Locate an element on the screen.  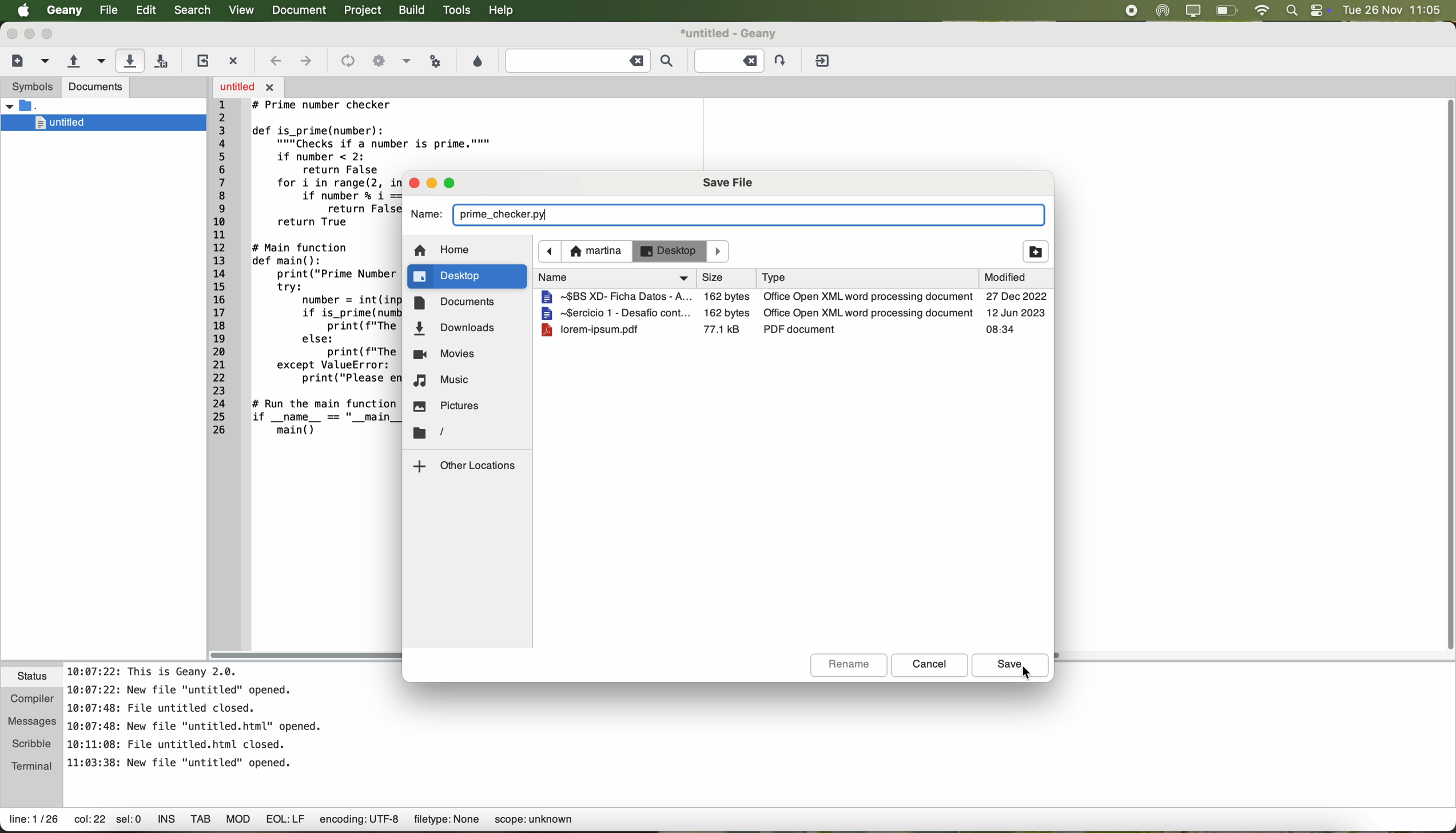
documents is located at coordinates (97, 88).